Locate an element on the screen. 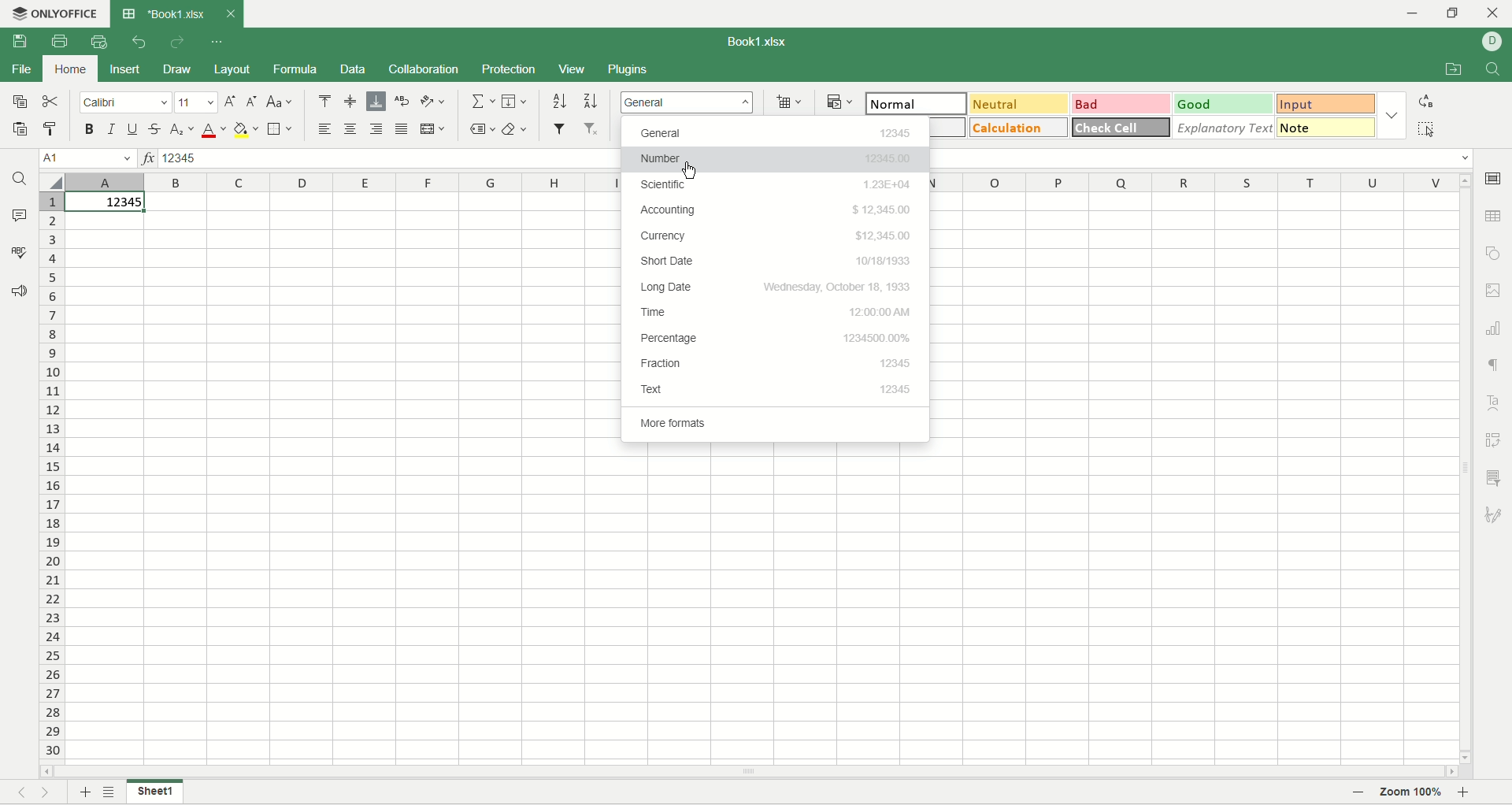 This screenshot has height=805, width=1512. note is located at coordinates (1325, 127).